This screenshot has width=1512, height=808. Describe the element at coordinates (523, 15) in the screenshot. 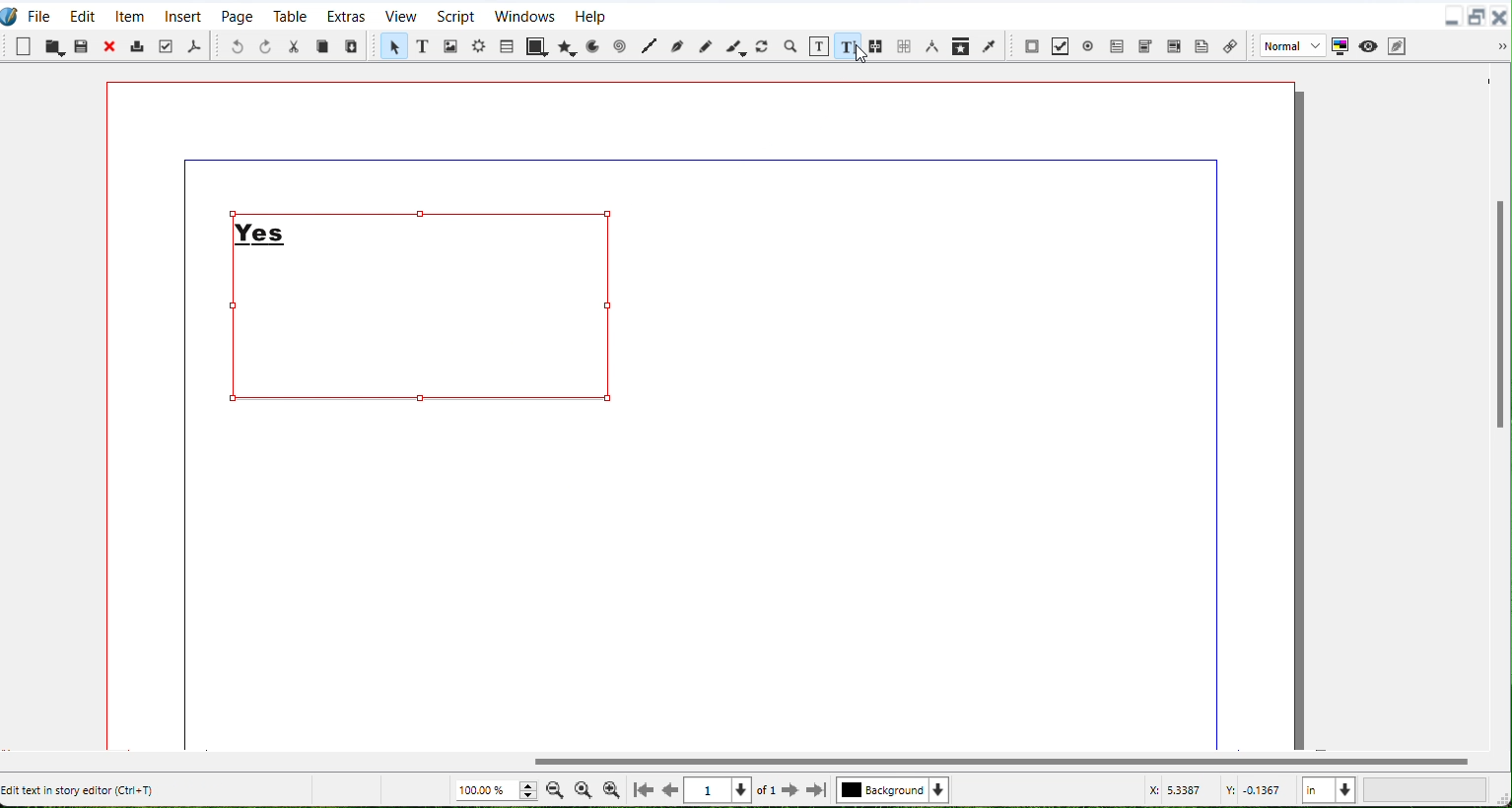

I see `Windows` at that location.